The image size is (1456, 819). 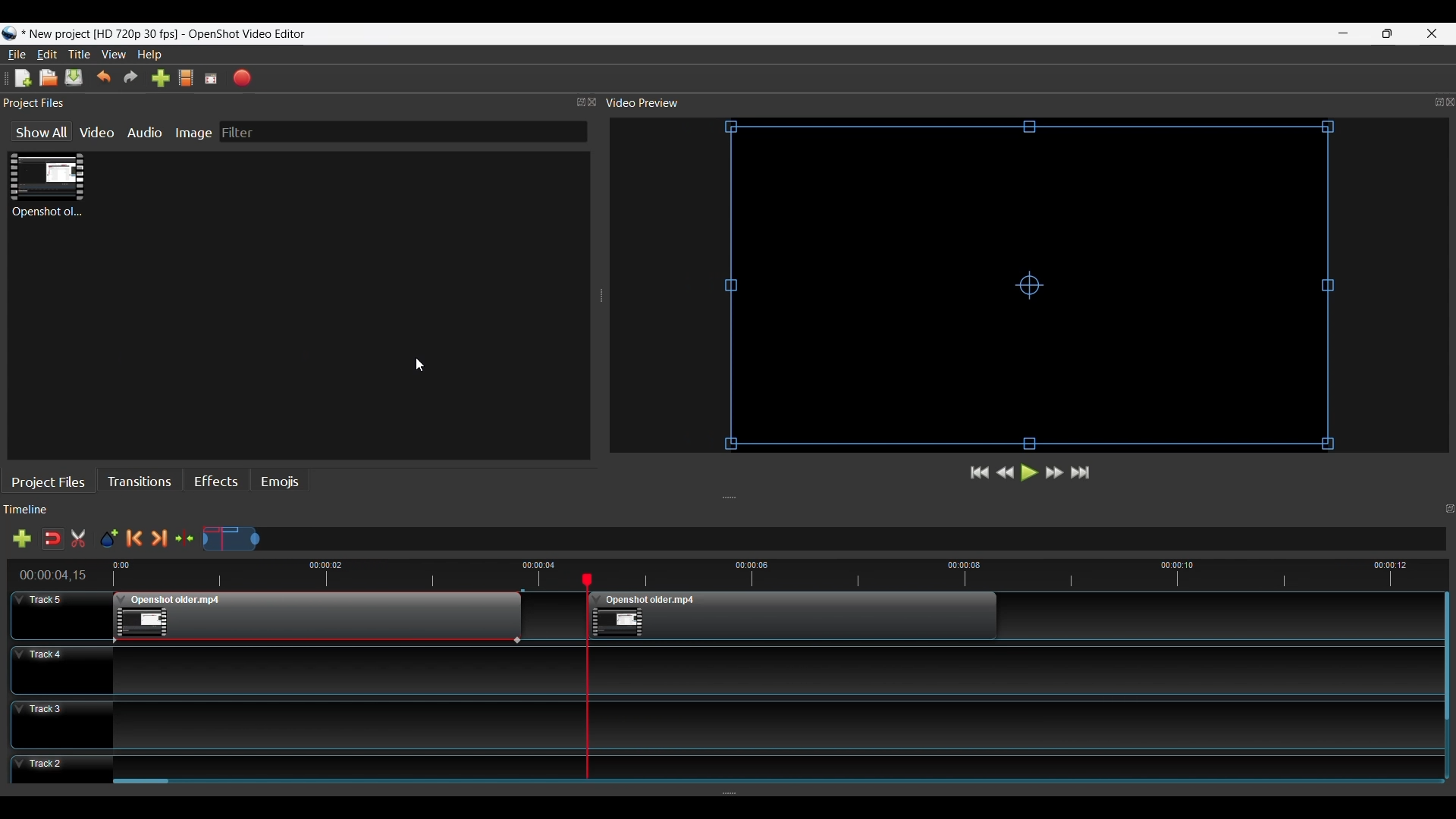 What do you see at coordinates (75, 80) in the screenshot?
I see `Save File` at bounding box center [75, 80].